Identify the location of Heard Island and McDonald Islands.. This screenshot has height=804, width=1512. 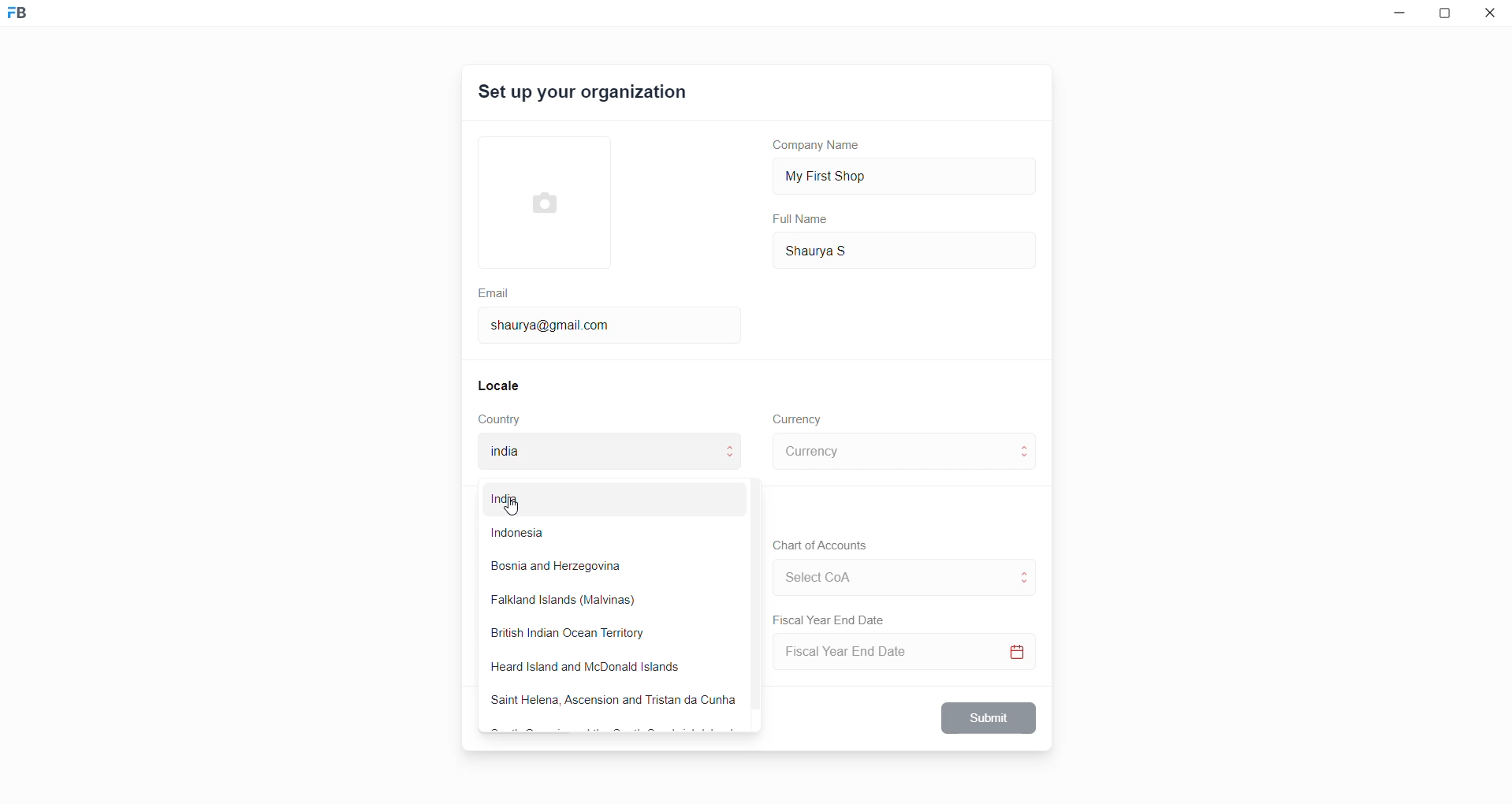
(597, 667).